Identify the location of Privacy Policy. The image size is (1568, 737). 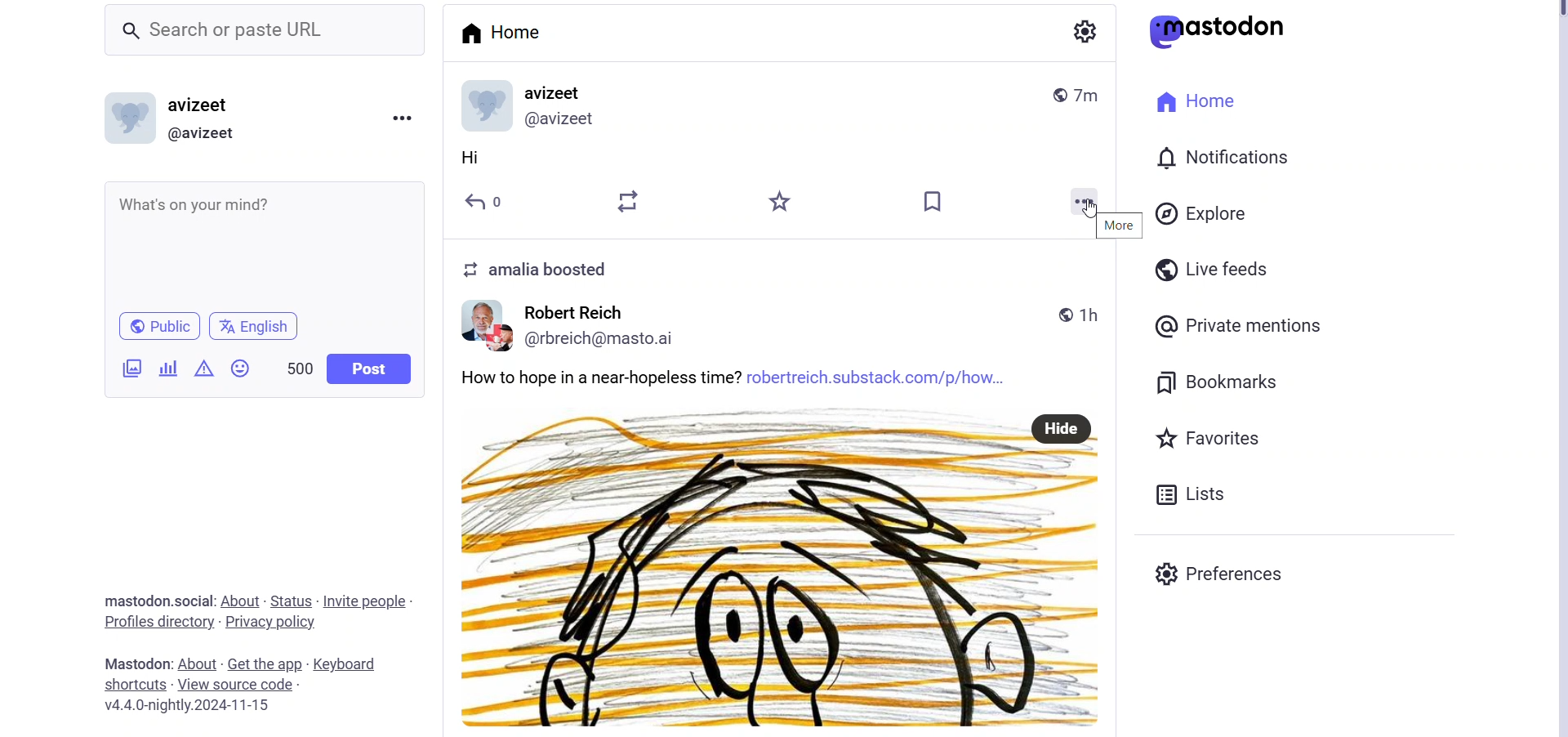
(274, 622).